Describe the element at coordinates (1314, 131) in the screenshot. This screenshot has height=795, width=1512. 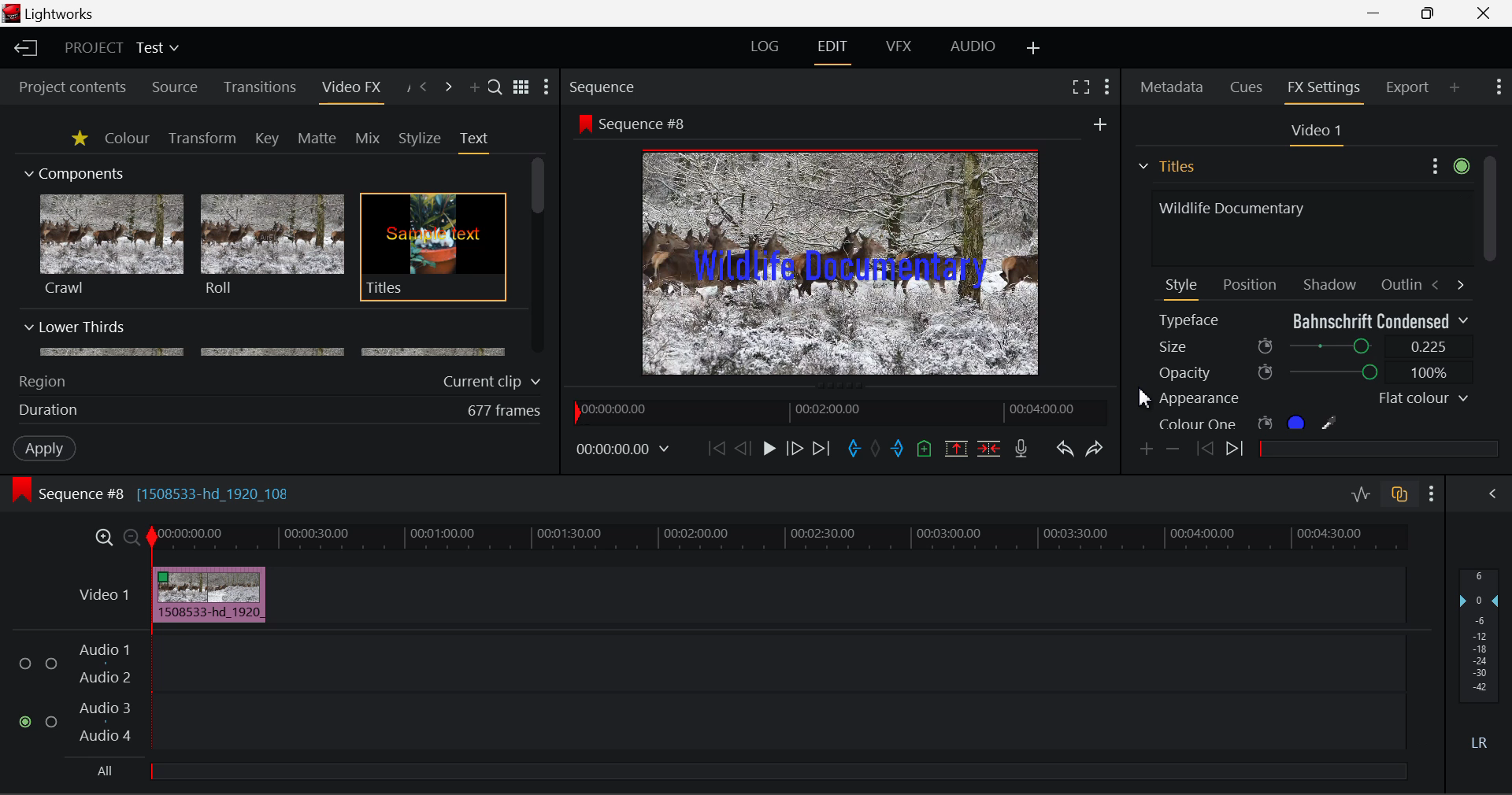
I see `Video 1` at that location.